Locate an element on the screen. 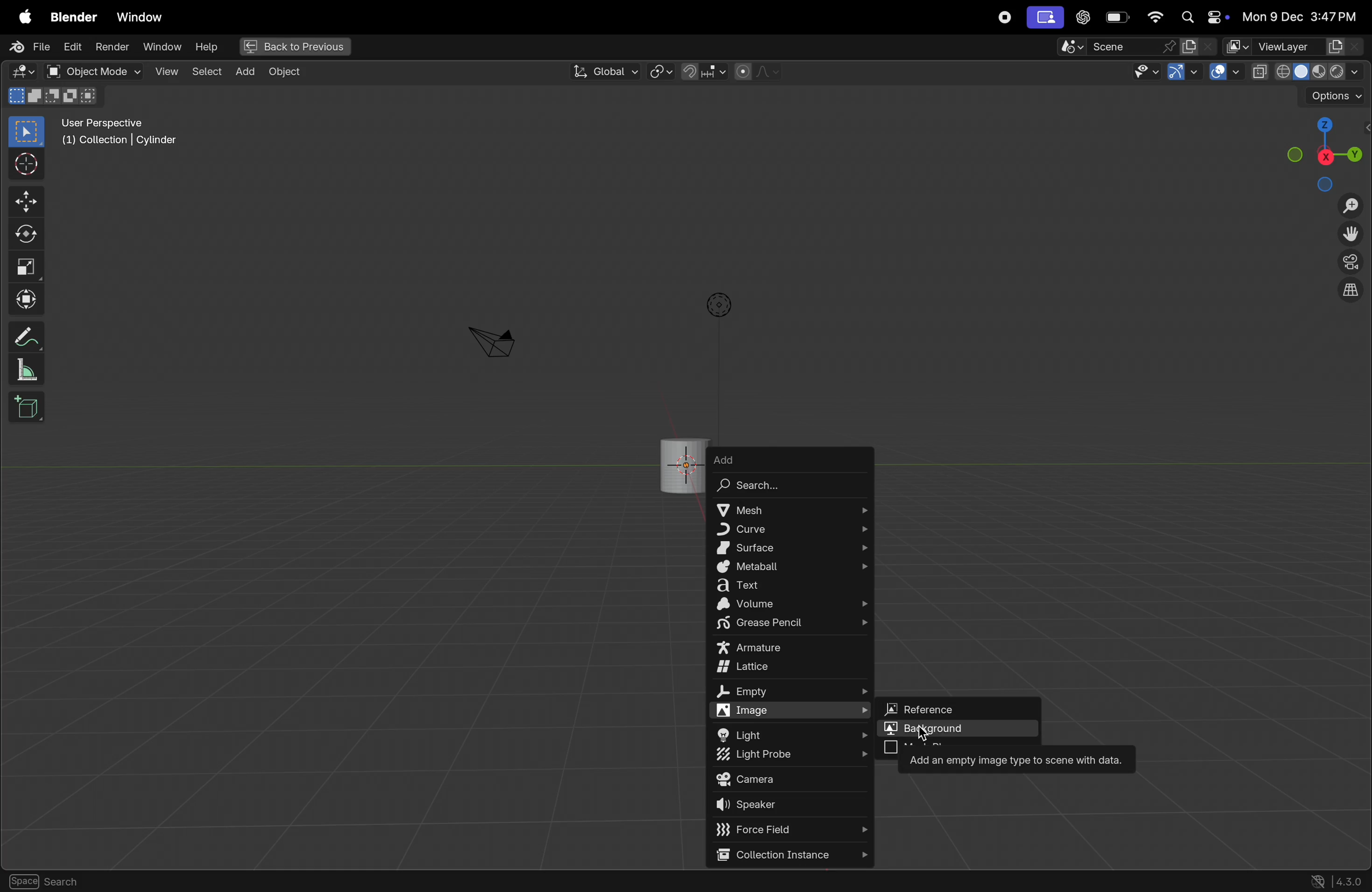 This screenshot has width=1372, height=892. empty is located at coordinates (789, 693).